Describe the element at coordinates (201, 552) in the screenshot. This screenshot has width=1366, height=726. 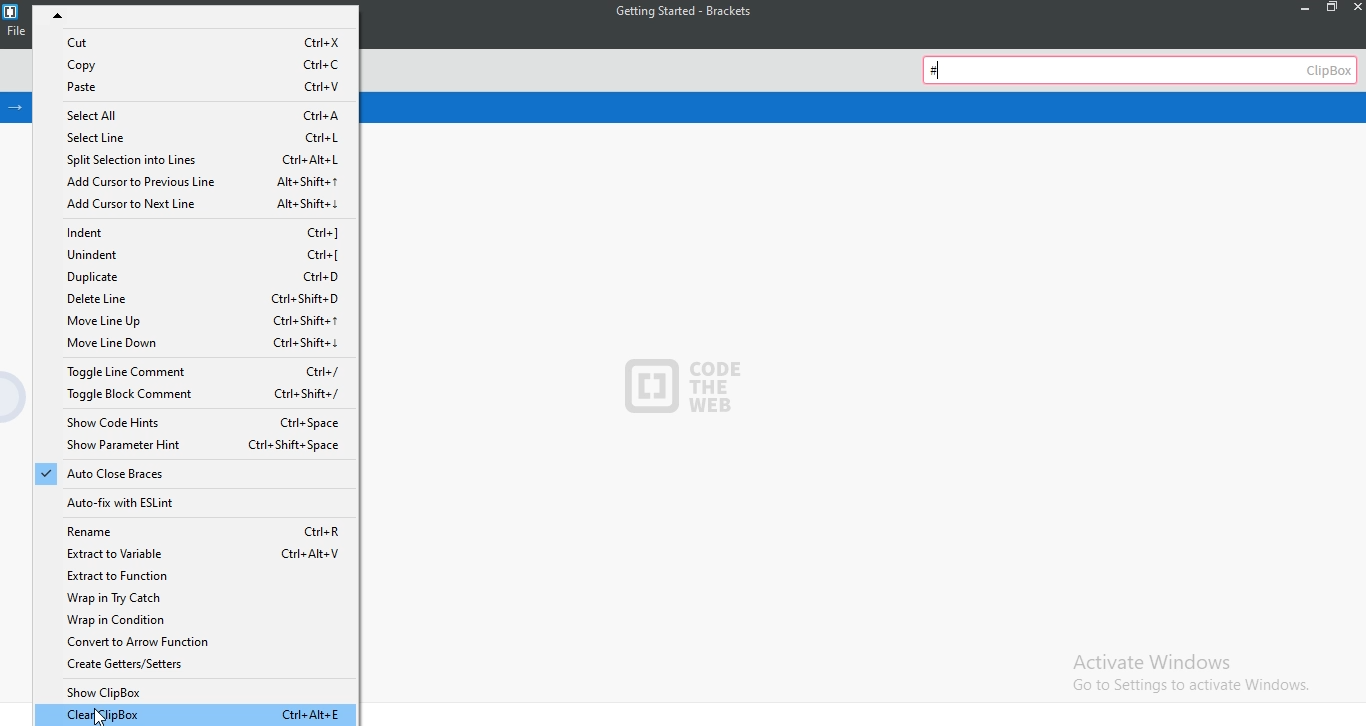
I see `Extract to Variable` at that location.